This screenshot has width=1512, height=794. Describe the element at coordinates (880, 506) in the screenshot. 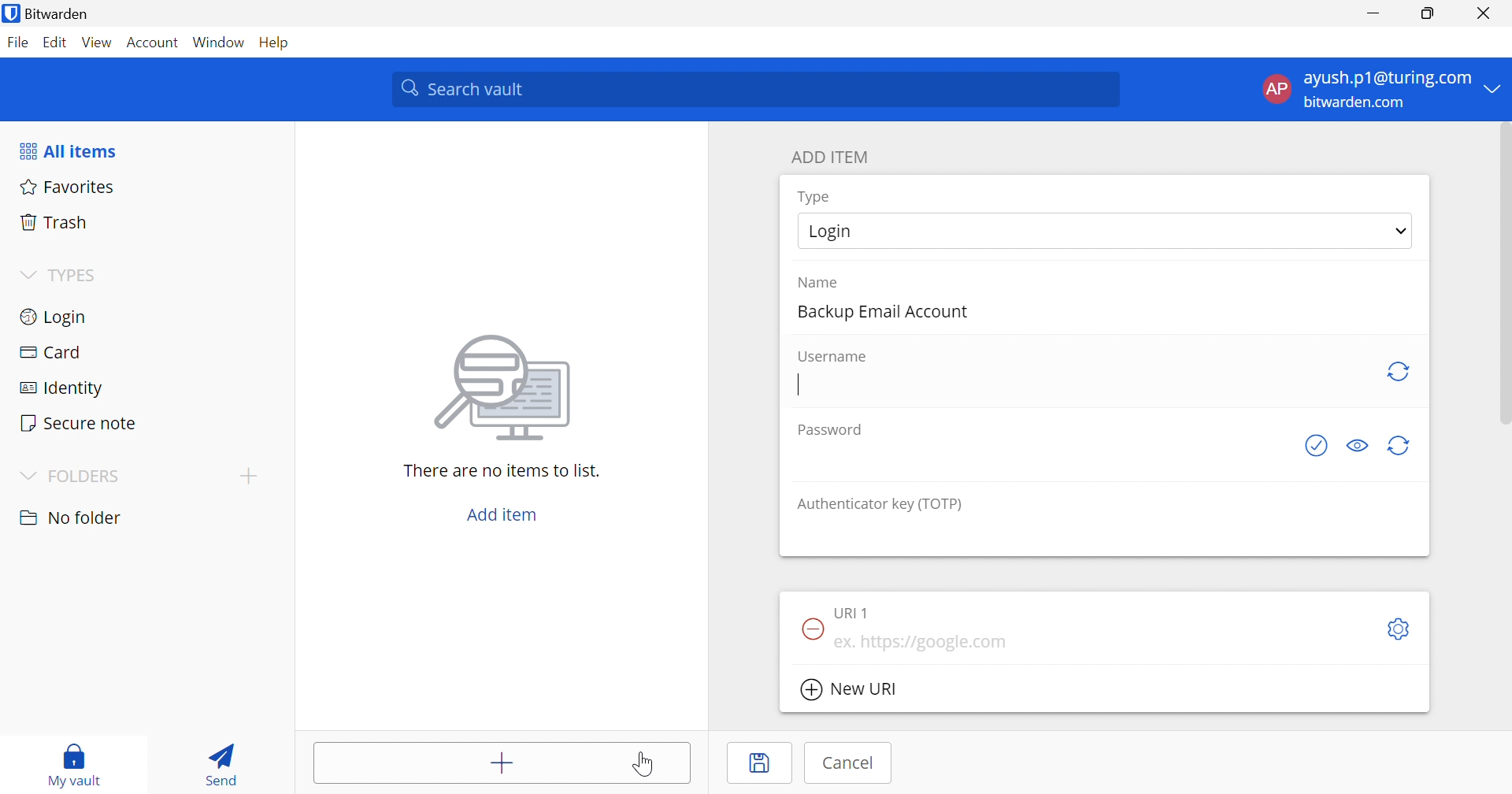

I see `Authenticator key (TOTP)` at that location.